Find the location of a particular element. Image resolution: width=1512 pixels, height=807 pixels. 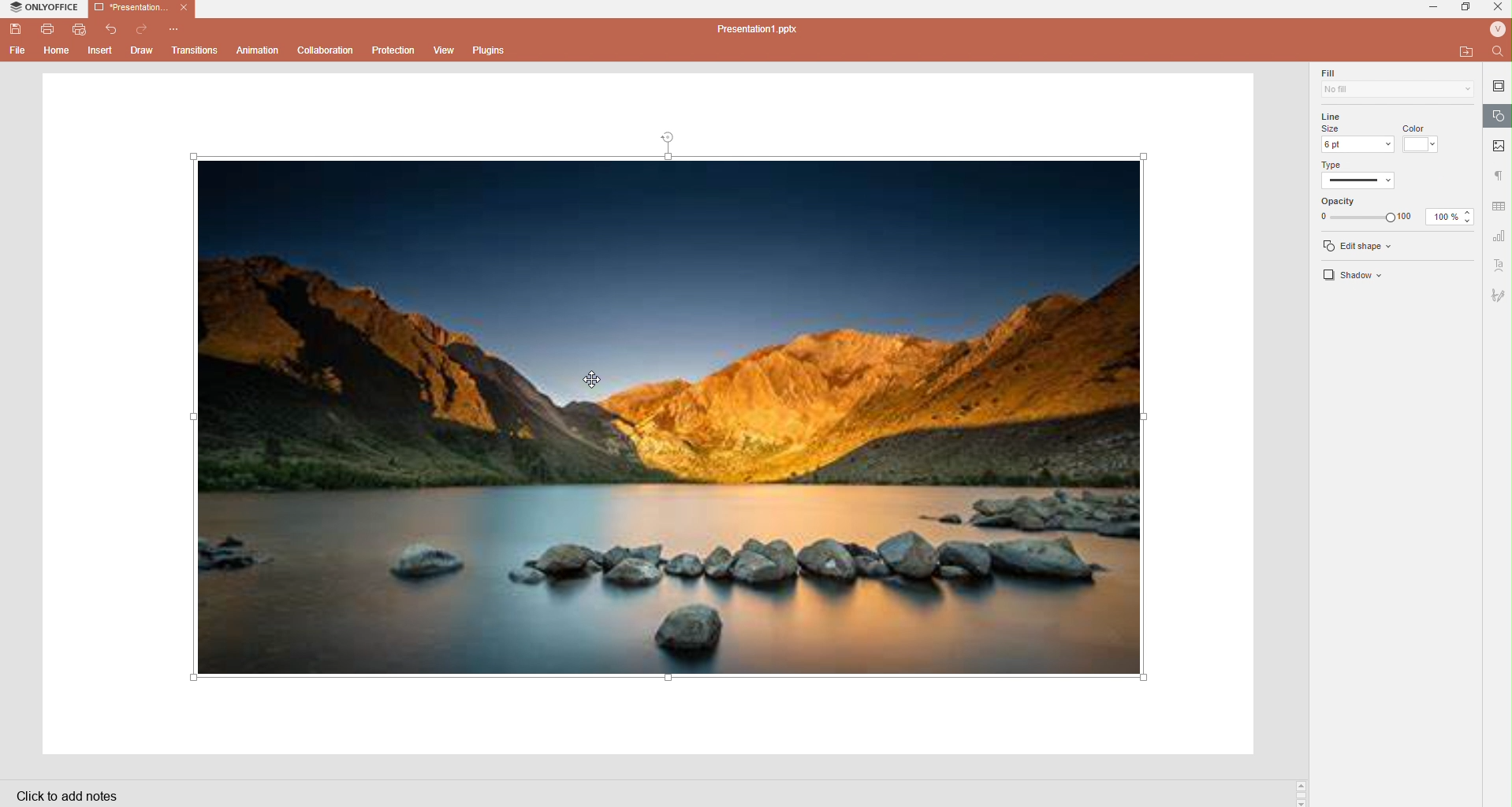

Find is located at coordinates (1497, 50).